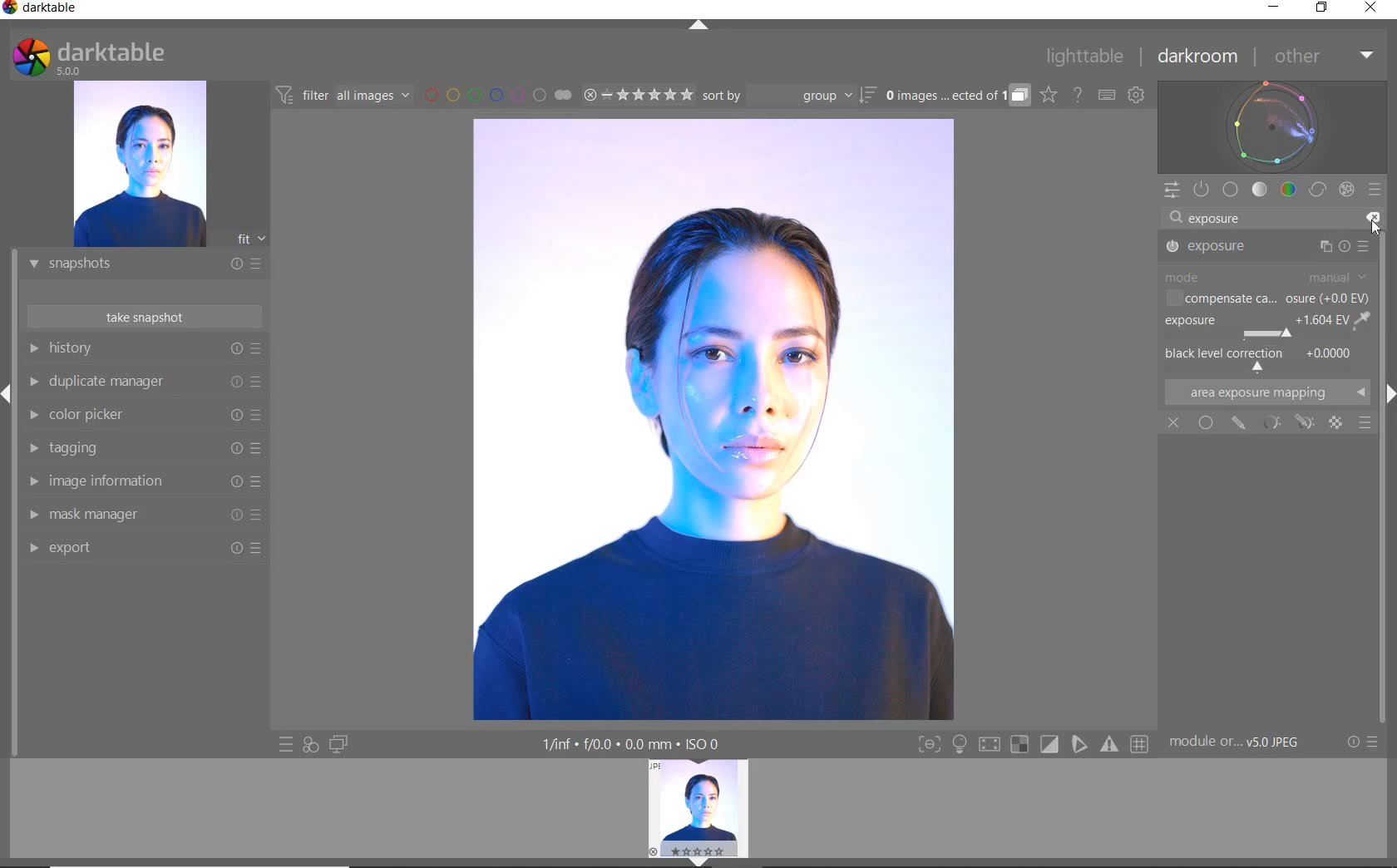 The image size is (1397, 868). I want to click on MASK OPTION, so click(1273, 422).